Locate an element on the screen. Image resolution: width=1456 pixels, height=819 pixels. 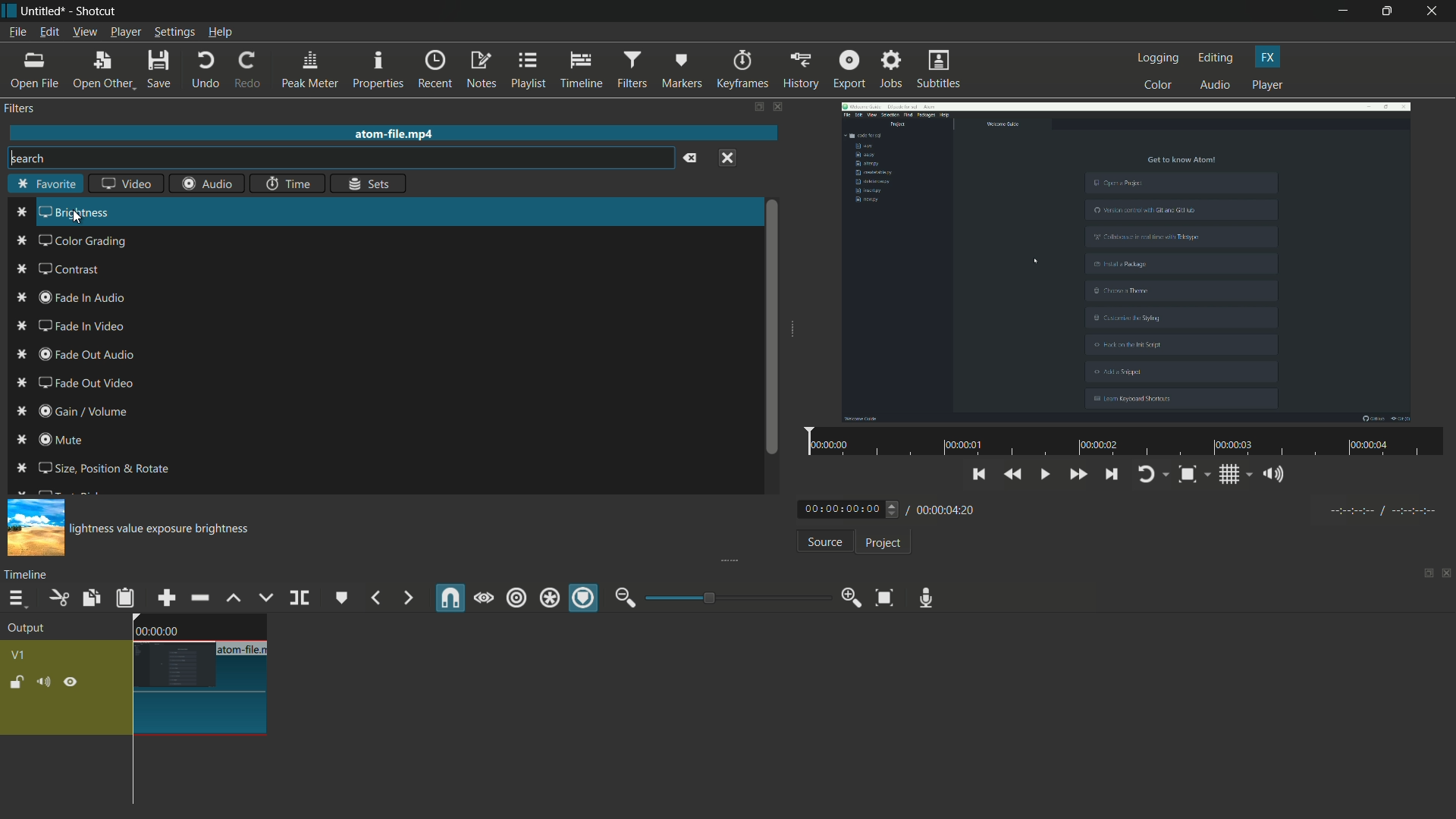
timeline menu is located at coordinates (17, 600).